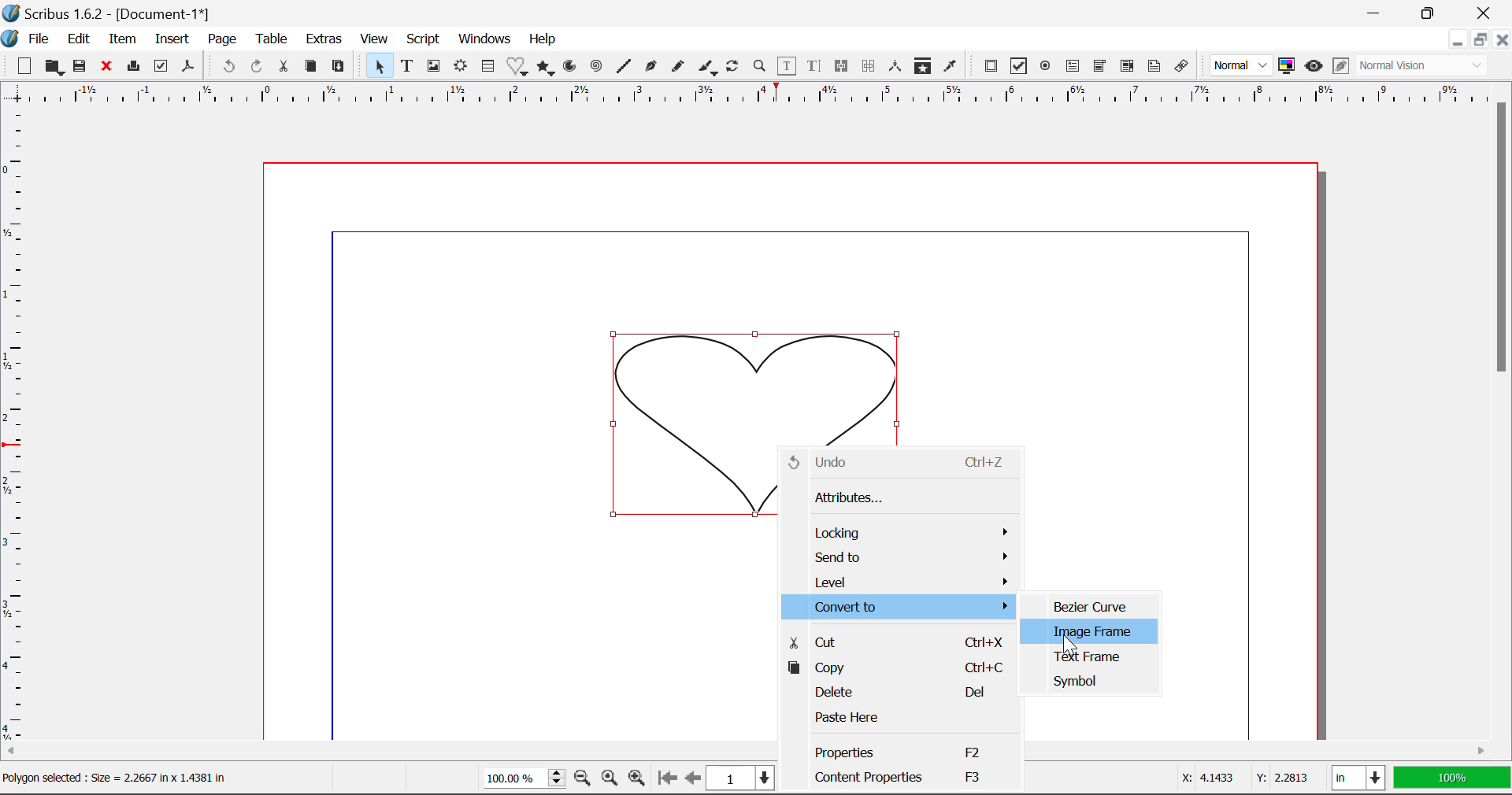 Image resolution: width=1512 pixels, height=795 pixels. What do you see at coordinates (1073, 68) in the screenshot?
I see `Pdf Text Field` at bounding box center [1073, 68].